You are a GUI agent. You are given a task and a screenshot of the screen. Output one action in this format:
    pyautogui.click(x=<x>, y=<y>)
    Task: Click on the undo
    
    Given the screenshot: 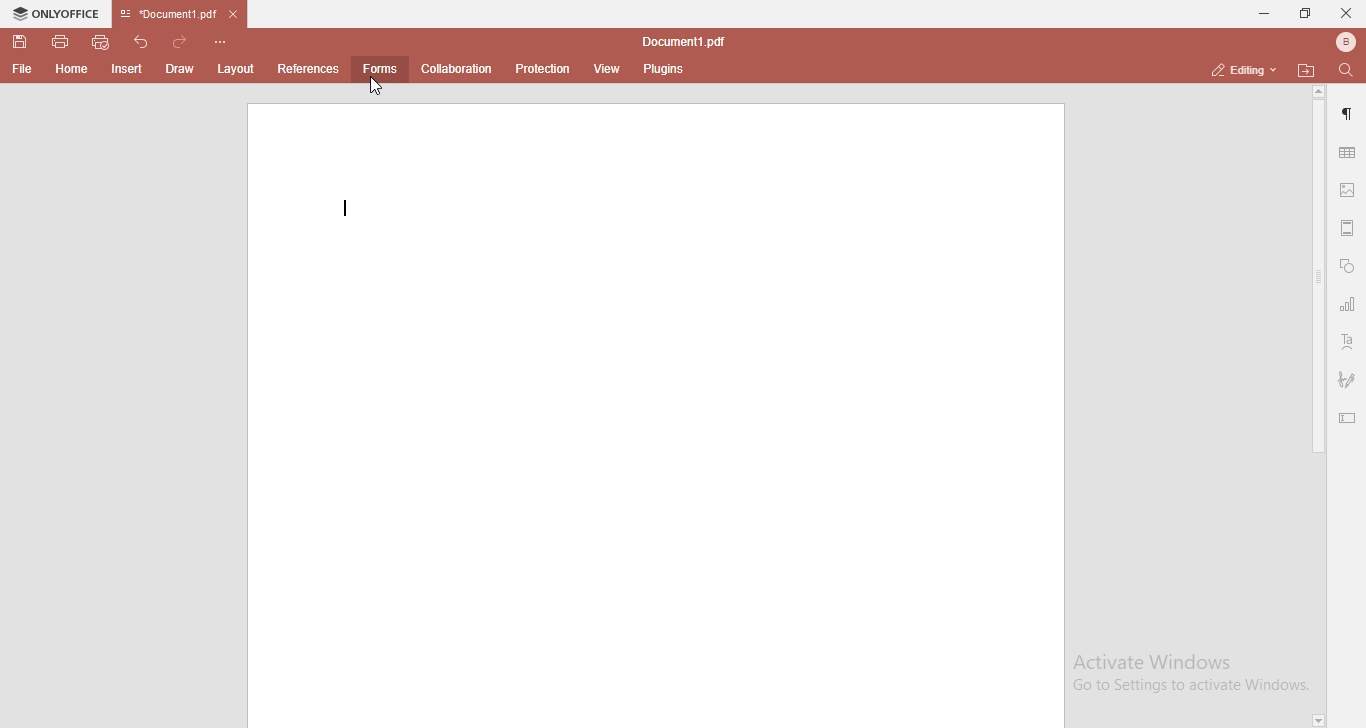 What is the action you would take?
    pyautogui.click(x=144, y=40)
    